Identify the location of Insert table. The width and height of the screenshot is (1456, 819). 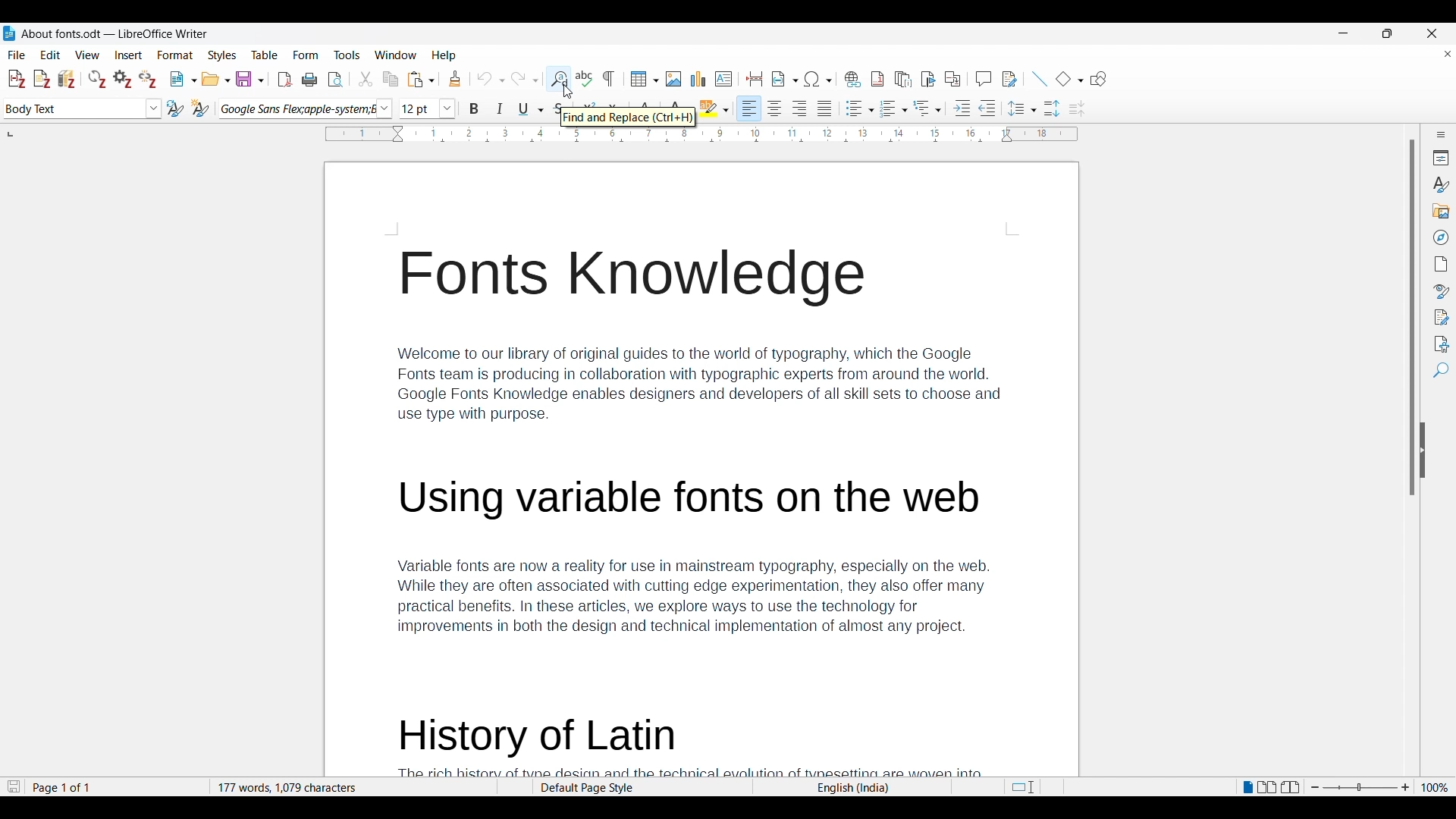
(645, 79).